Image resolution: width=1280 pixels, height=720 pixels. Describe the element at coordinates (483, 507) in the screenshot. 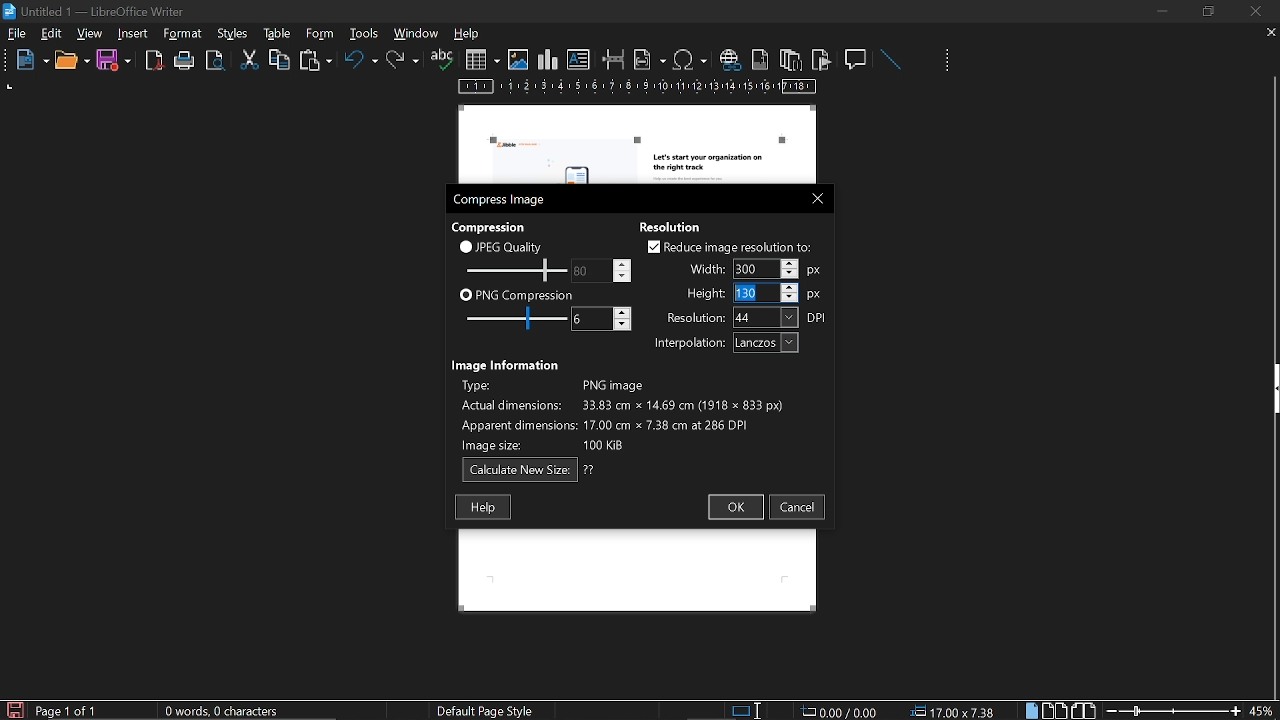

I see `help` at that location.